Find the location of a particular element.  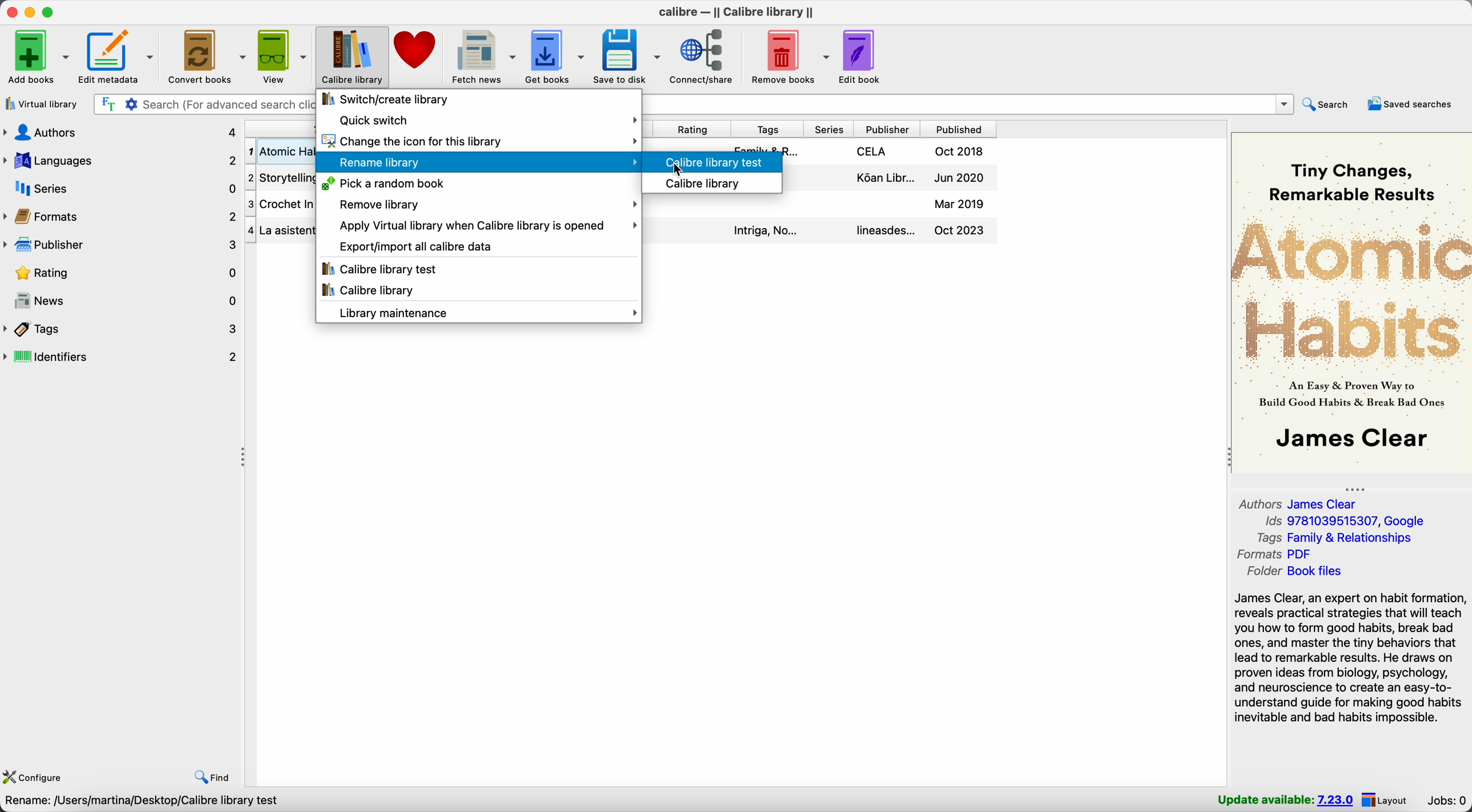

news is located at coordinates (122, 302).